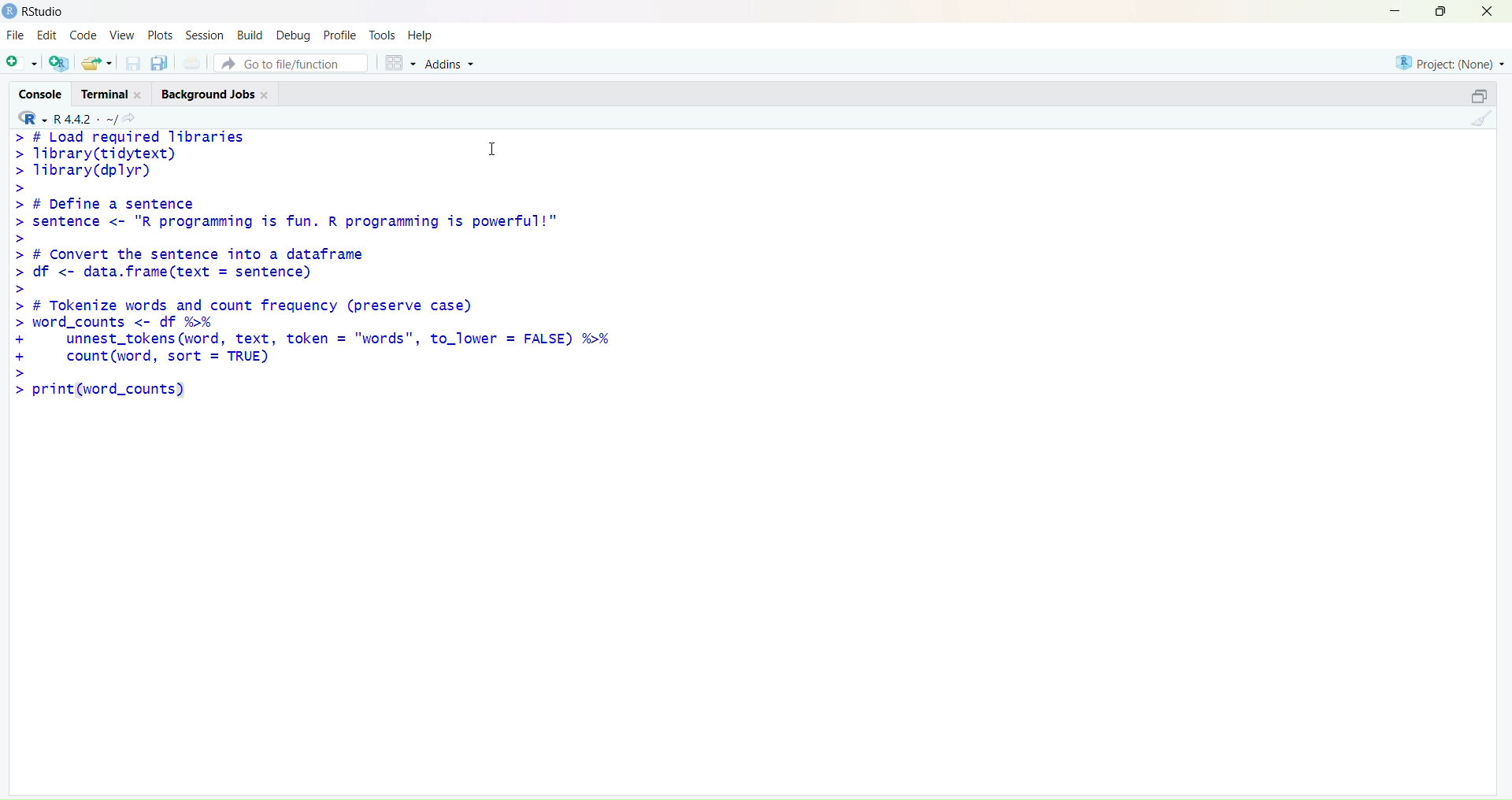 This screenshot has height=800, width=1512. Describe the element at coordinates (192, 64) in the screenshot. I see `print current file` at that location.